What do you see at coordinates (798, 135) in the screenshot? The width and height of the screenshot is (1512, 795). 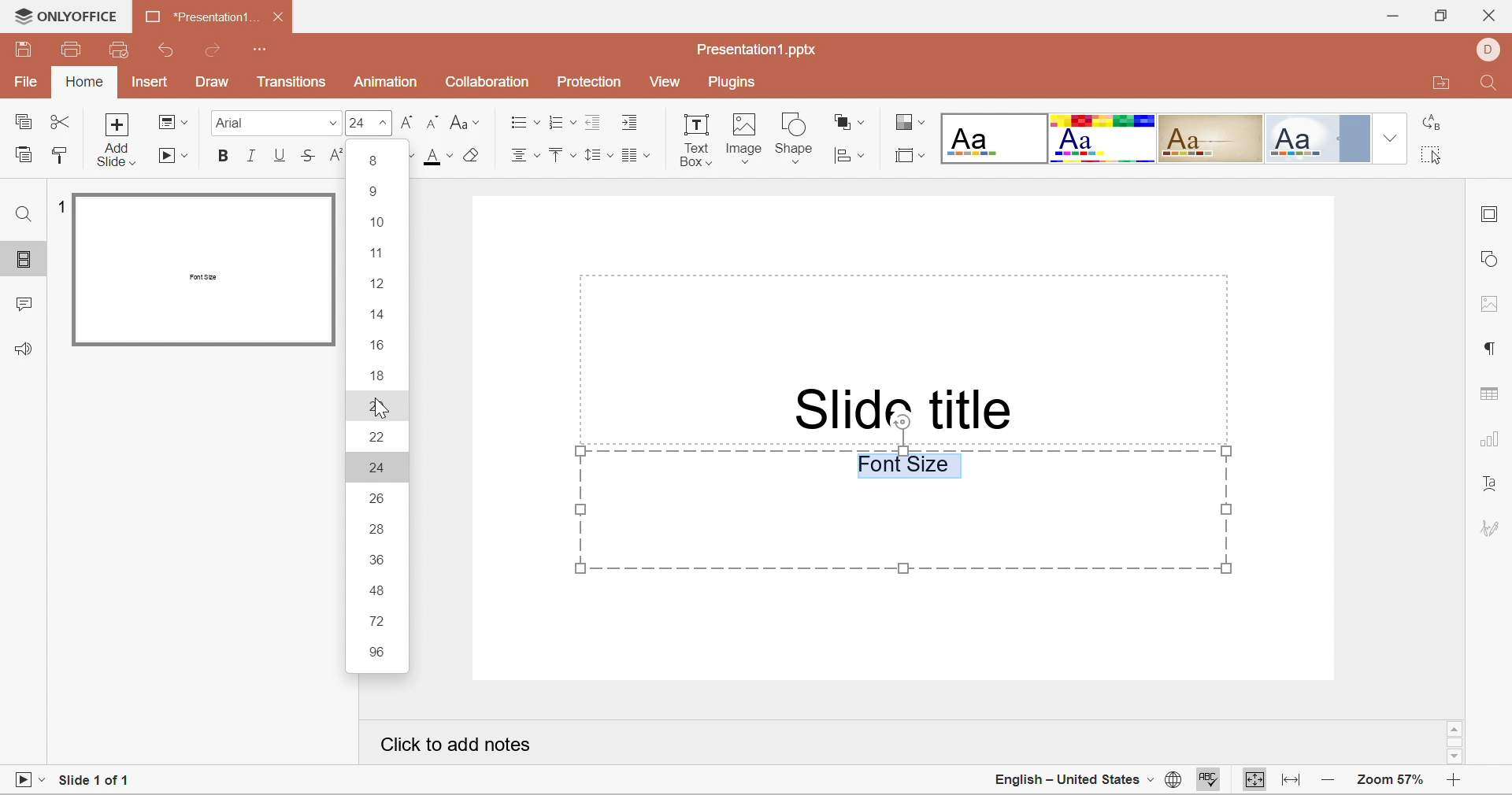 I see `Shape` at bounding box center [798, 135].